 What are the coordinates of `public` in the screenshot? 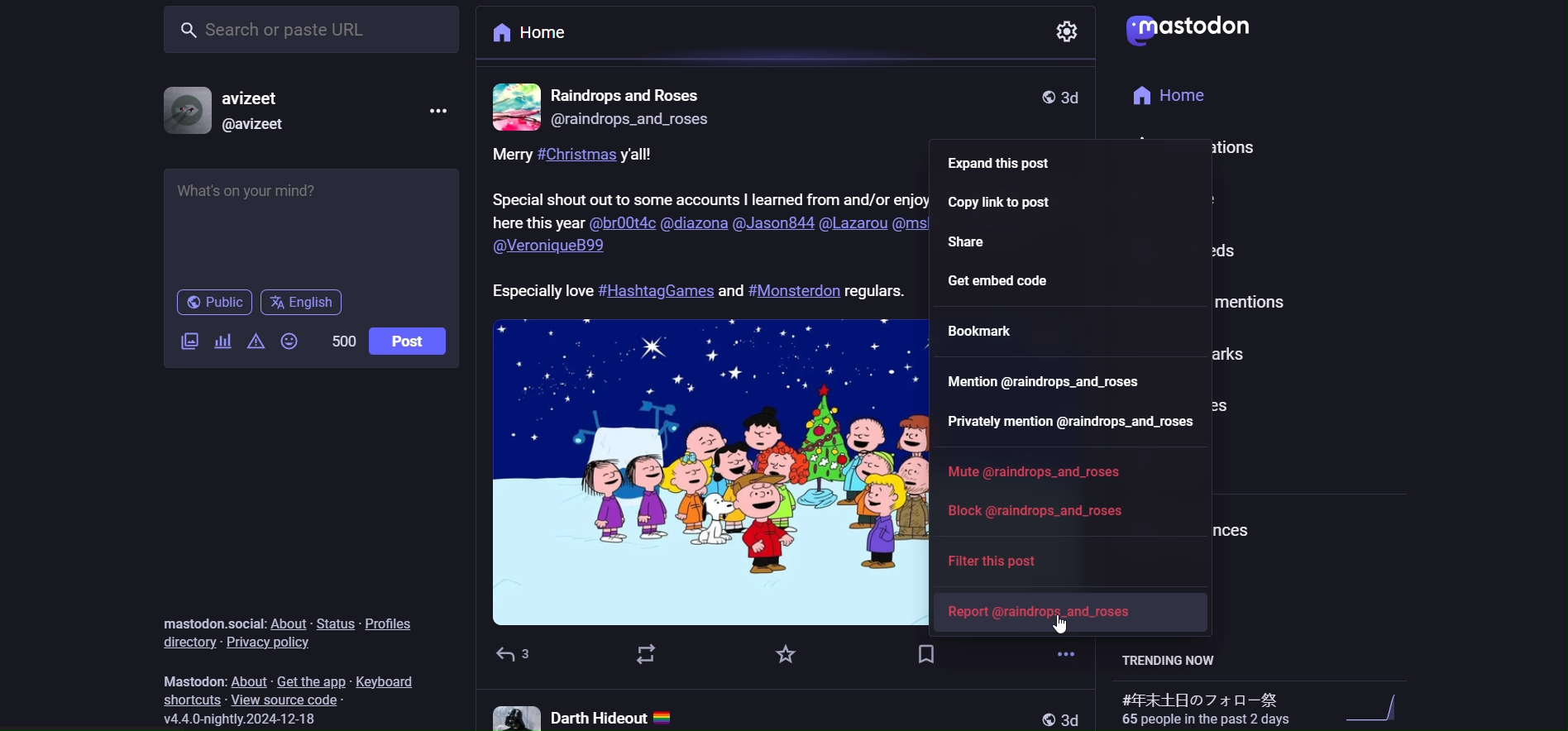 It's located at (1042, 97).